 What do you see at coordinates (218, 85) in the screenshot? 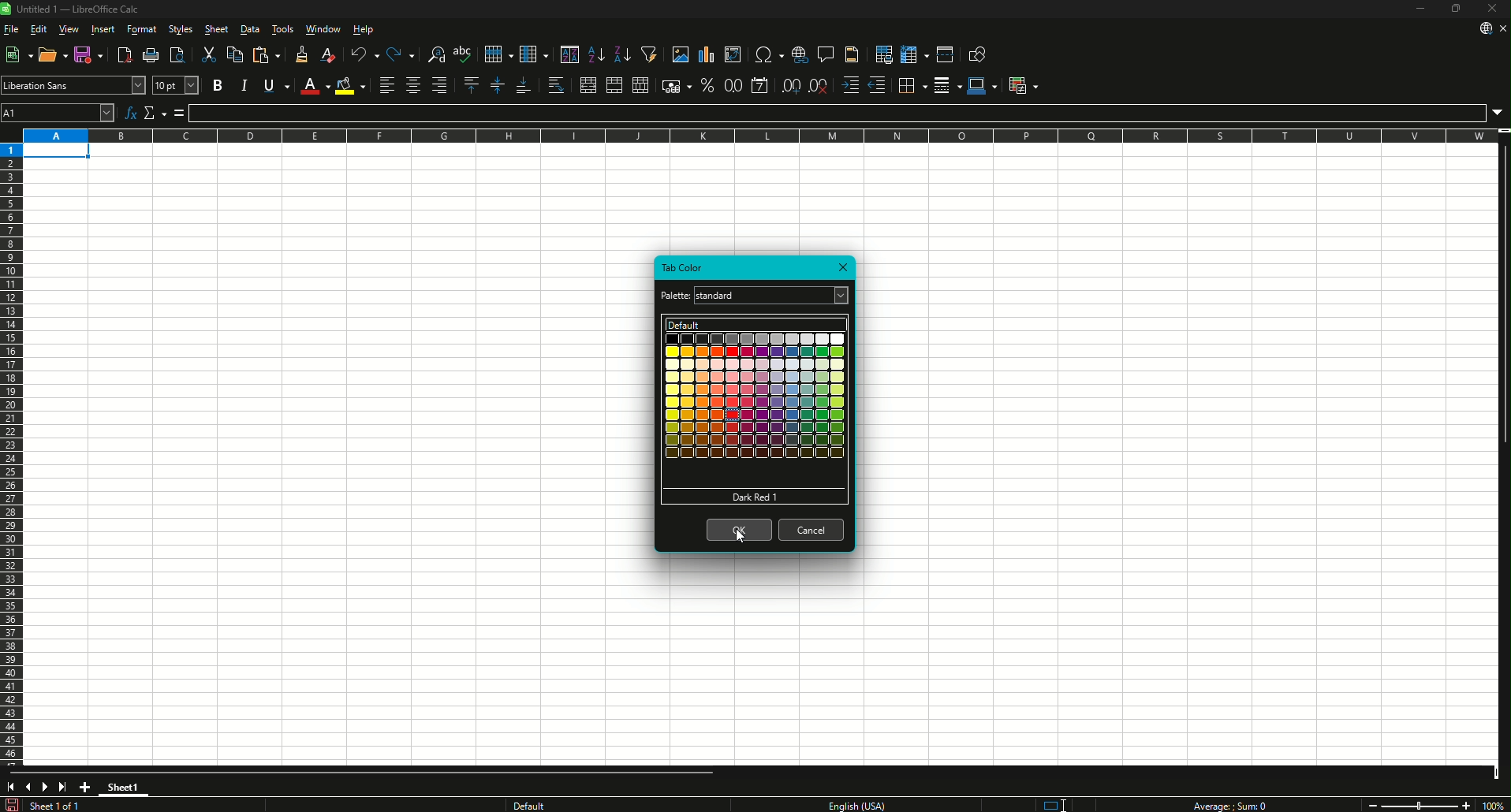
I see `Bold` at bounding box center [218, 85].